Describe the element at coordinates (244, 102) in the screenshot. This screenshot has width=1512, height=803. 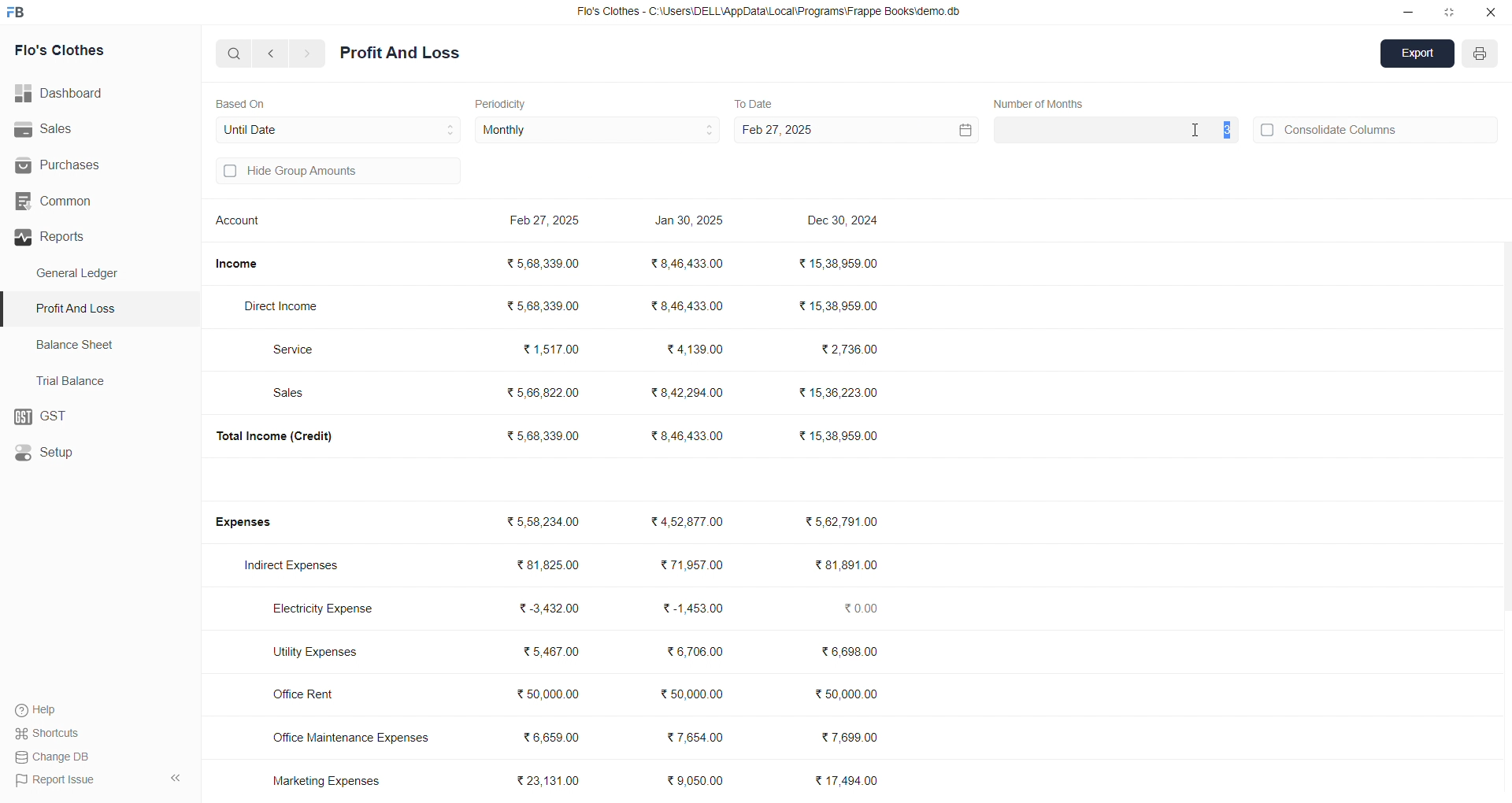
I see `Based On` at that location.